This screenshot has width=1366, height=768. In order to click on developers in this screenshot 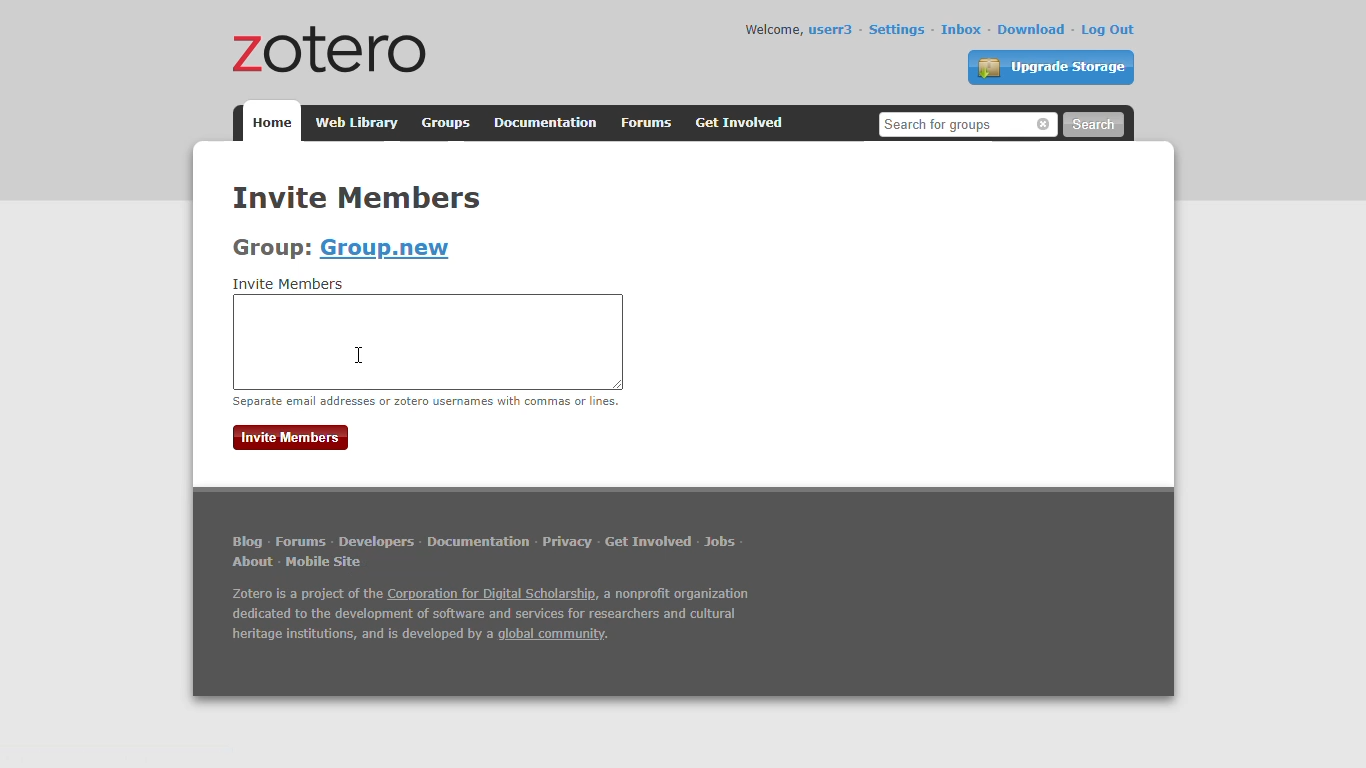, I will do `click(376, 541)`.